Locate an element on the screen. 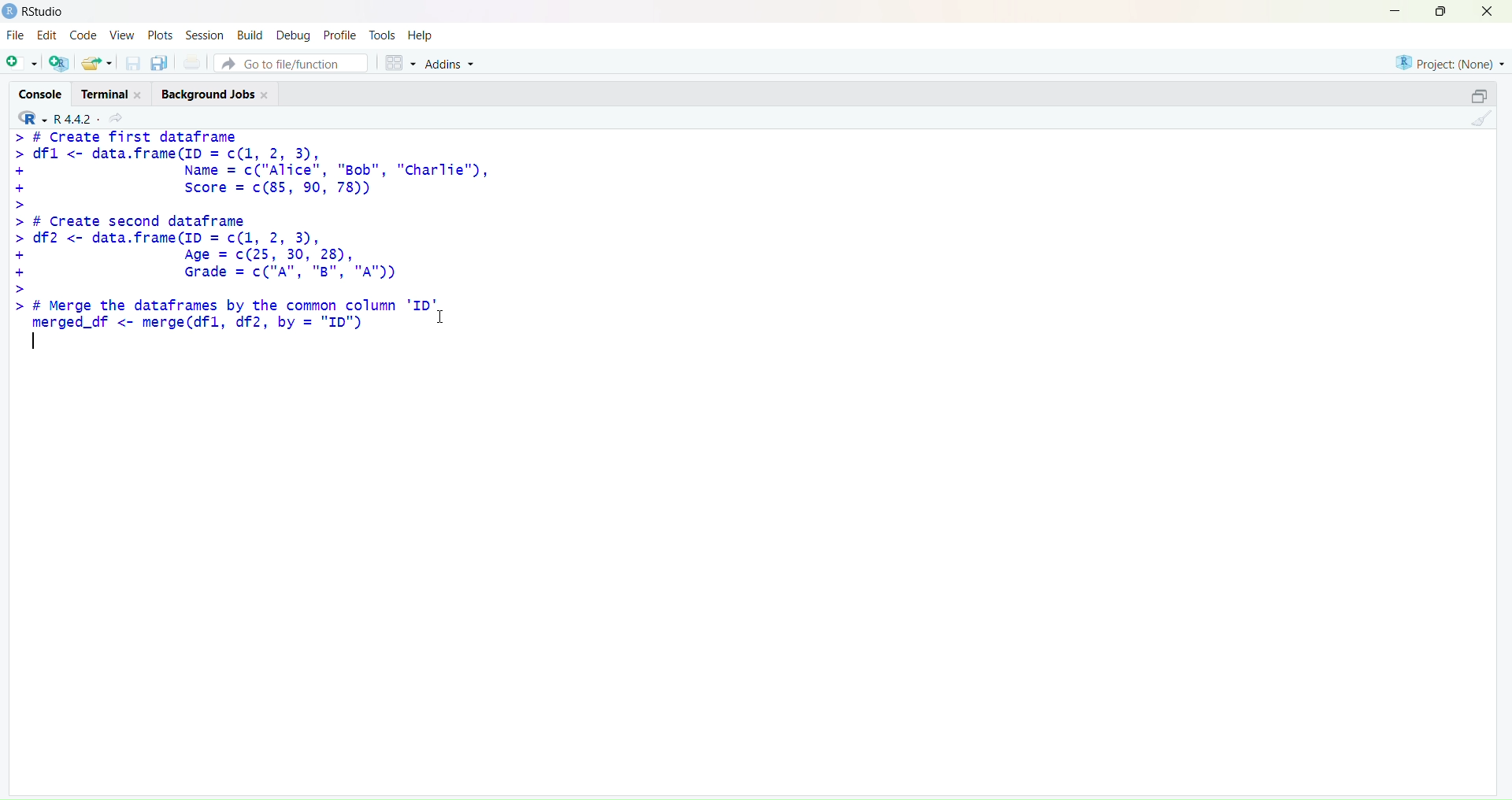 The image size is (1512, 800). Edit is located at coordinates (47, 35).